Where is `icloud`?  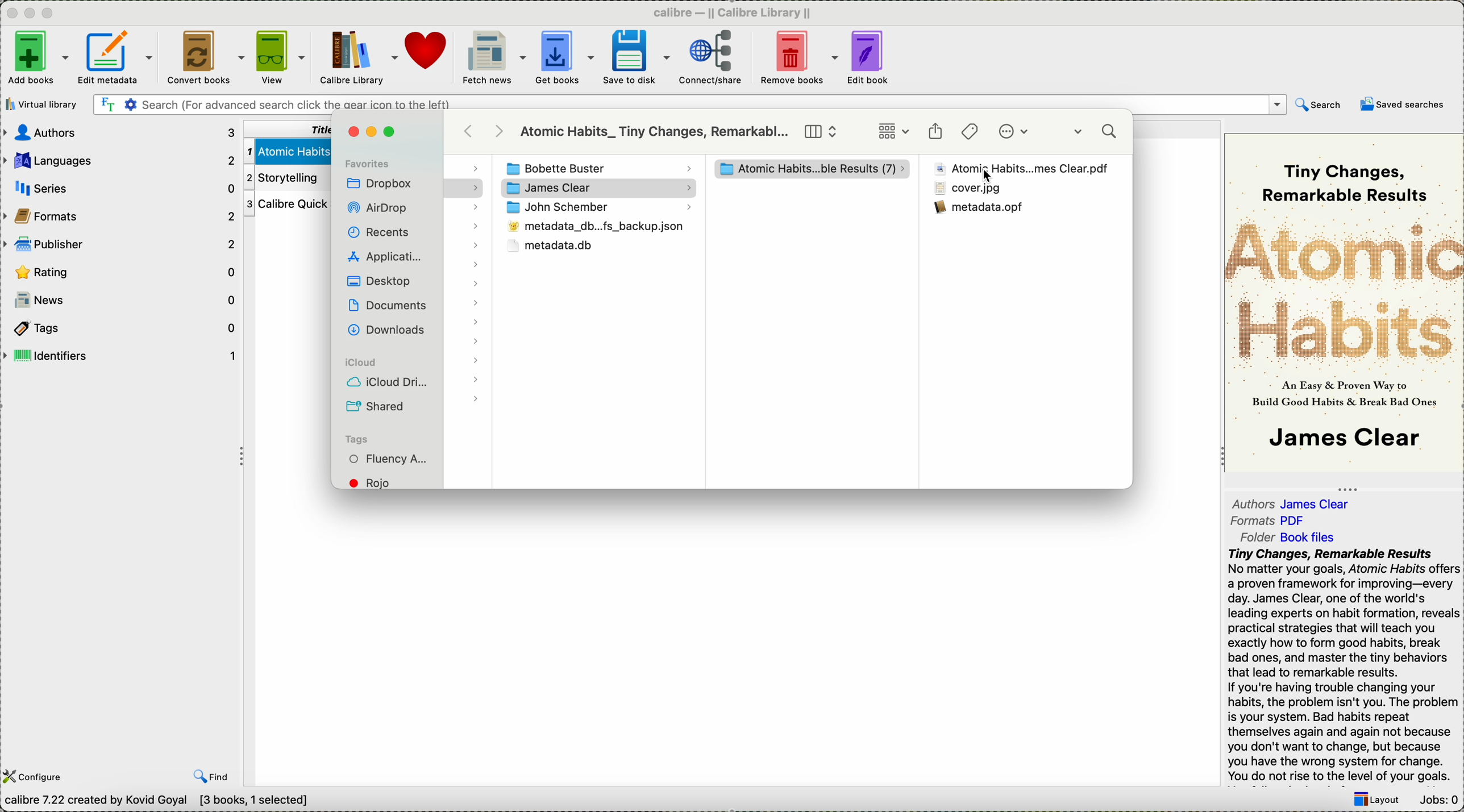 icloud is located at coordinates (358, 363).